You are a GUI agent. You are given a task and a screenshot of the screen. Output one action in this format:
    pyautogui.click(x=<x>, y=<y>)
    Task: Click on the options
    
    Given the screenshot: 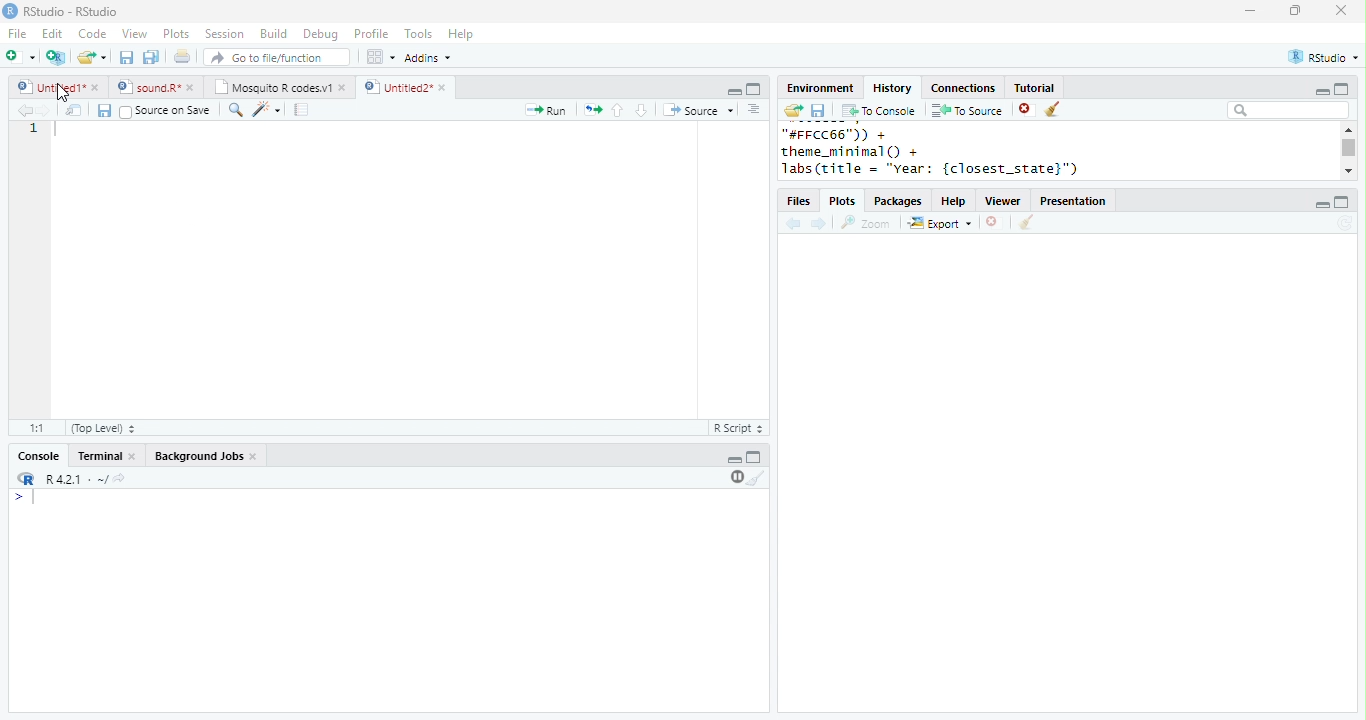 What is the action you would take?
    pyautogui.click(x=379, y=57)
    